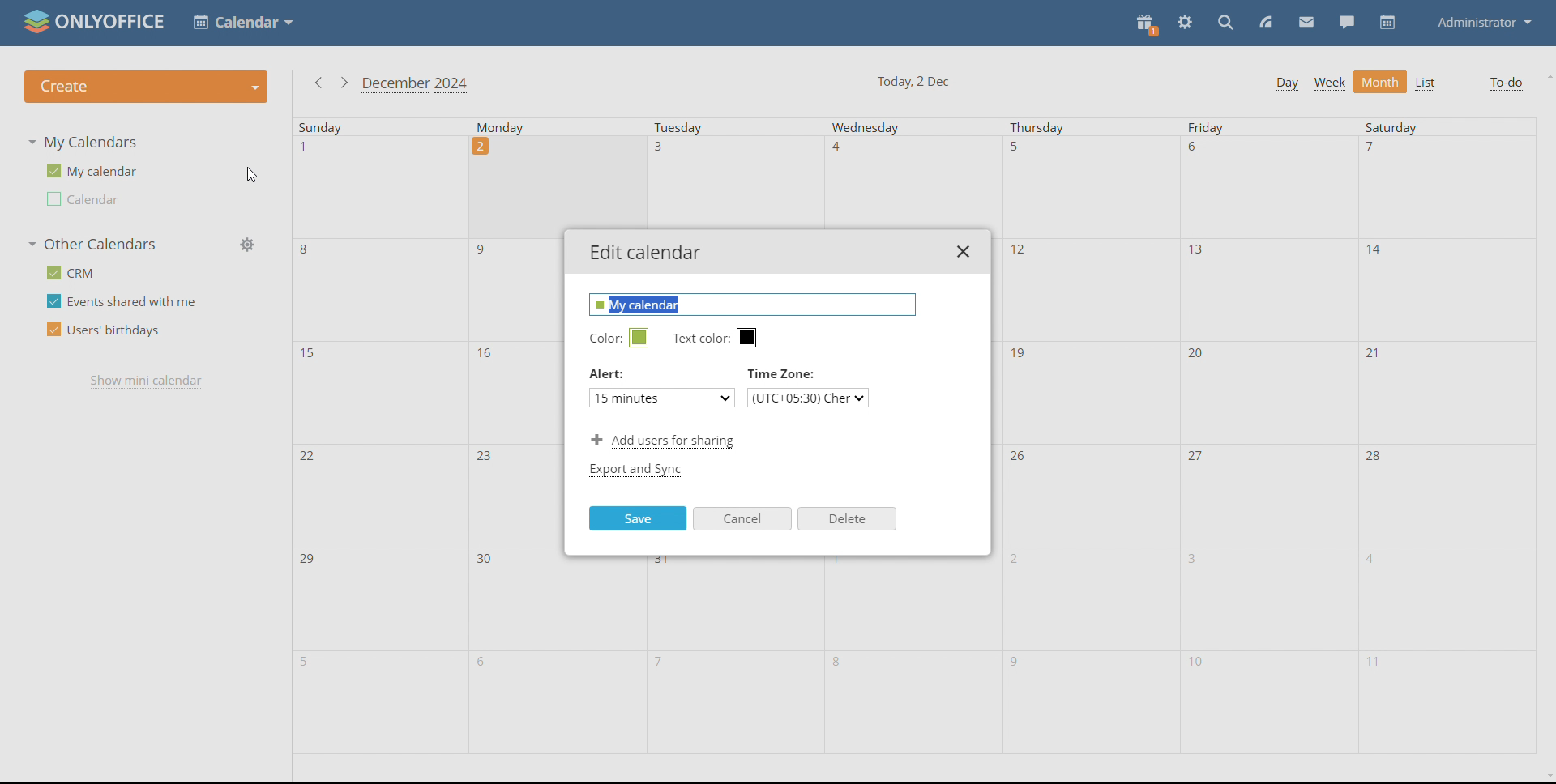  I want to click on wednesday, so click(907, 656).